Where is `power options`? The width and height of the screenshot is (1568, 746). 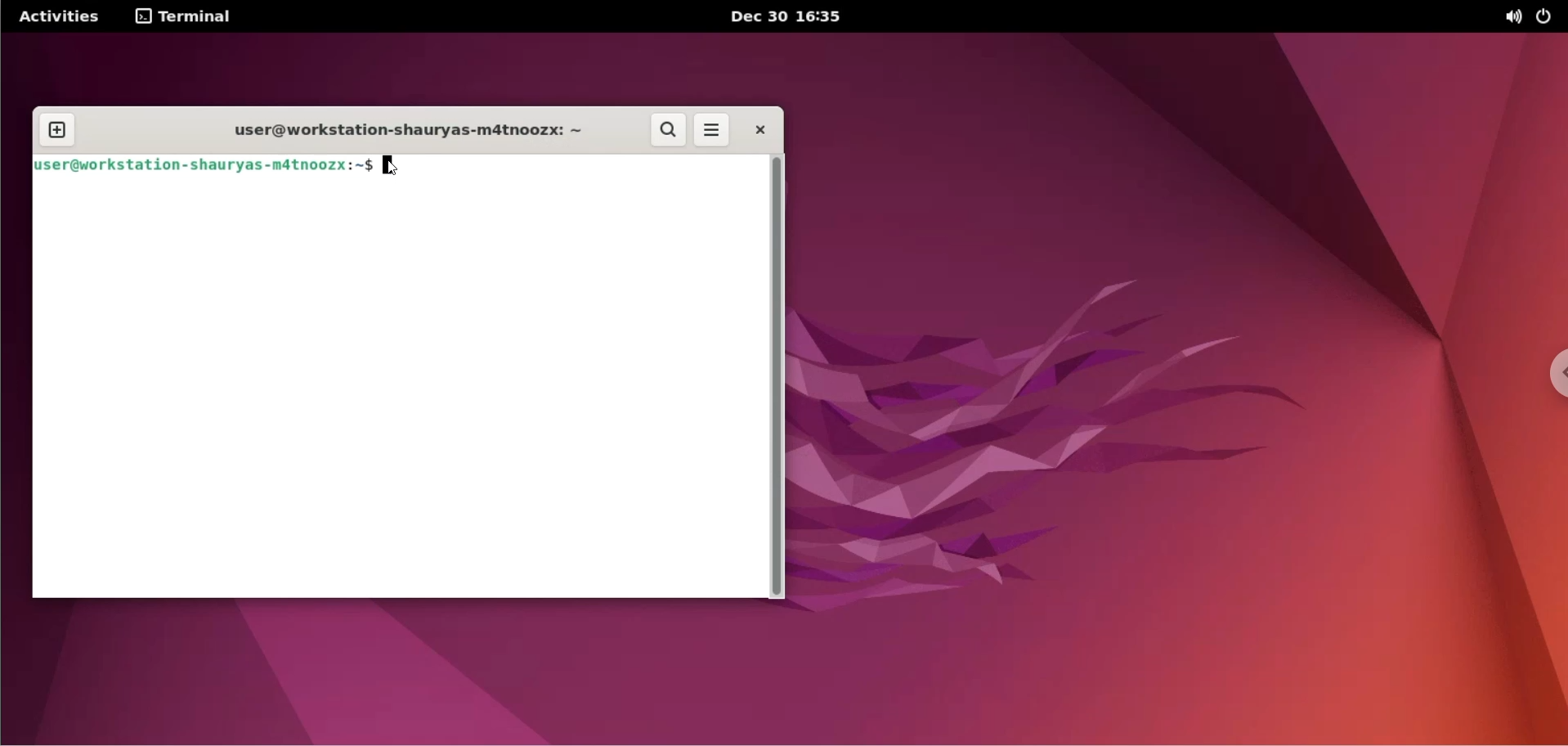 power options is located at coordinates (1548, 16).